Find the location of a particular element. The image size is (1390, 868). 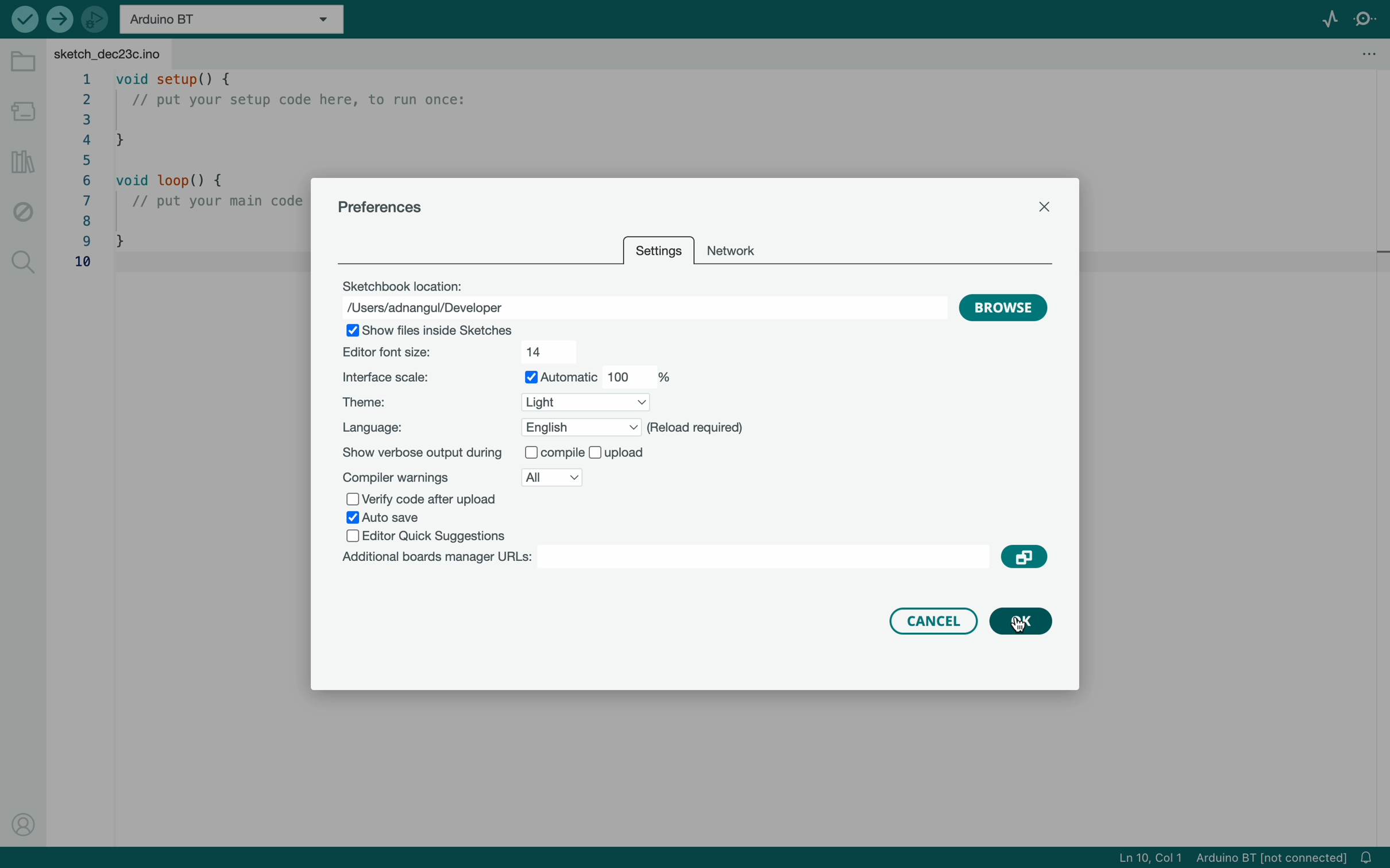

network is located at coordinates (742, 249).